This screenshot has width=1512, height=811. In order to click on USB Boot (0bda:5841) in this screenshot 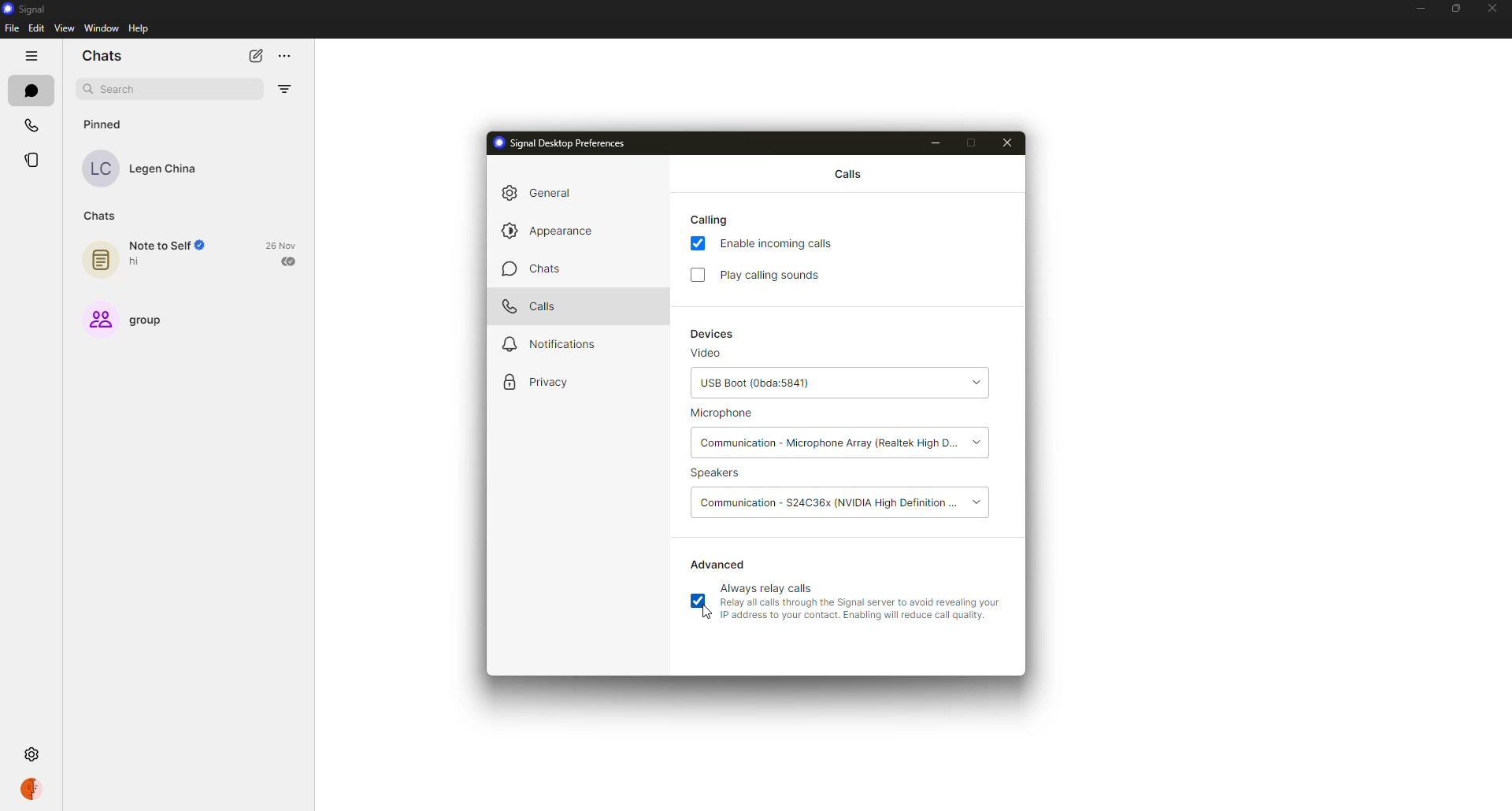, I will do `click(814, 385)`.